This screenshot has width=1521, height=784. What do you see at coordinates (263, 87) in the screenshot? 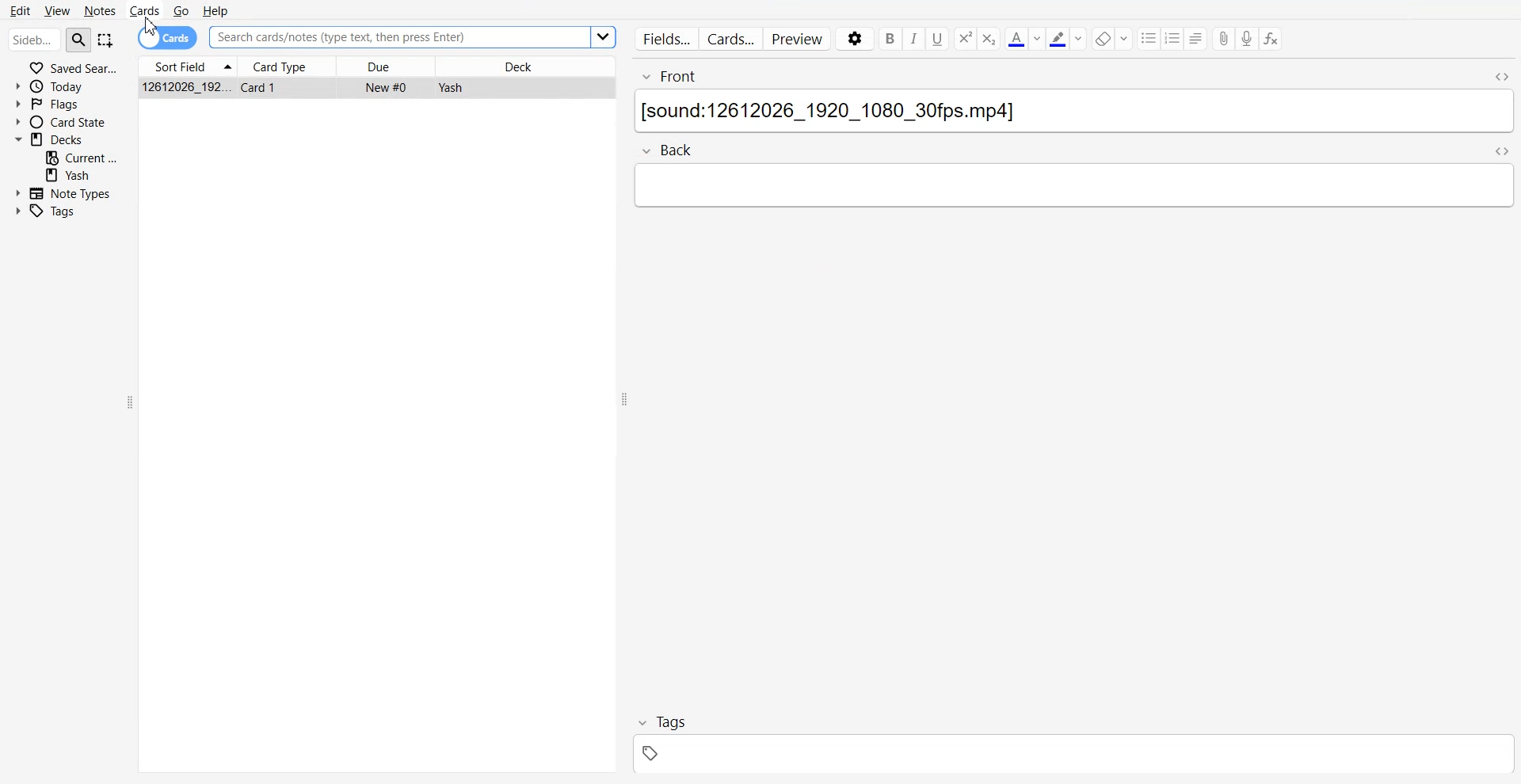
I see `card 1` at bounding box center [263, 87].